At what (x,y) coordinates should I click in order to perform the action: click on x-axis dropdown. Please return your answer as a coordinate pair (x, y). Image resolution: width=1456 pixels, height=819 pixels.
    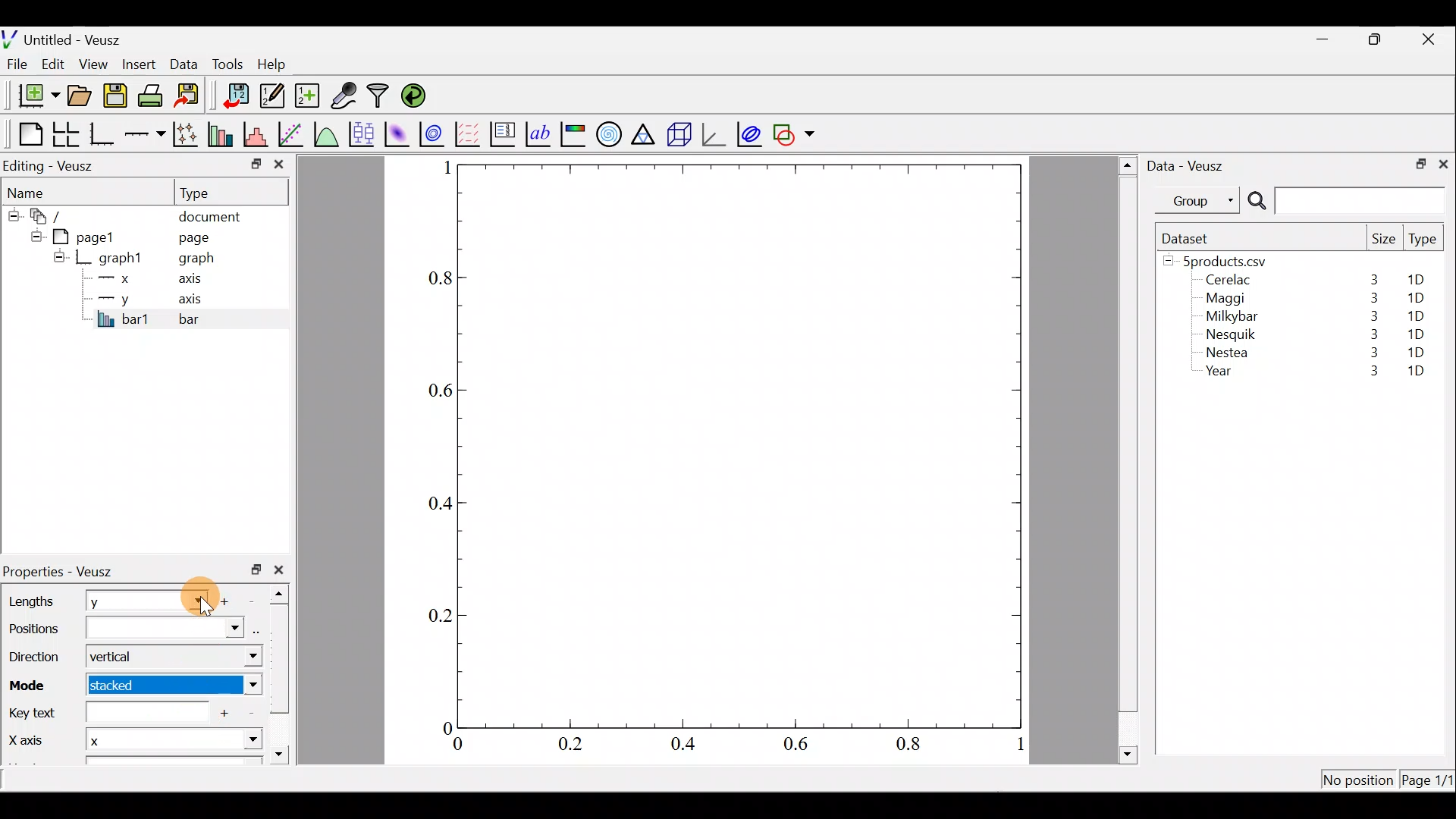
    Looking at the image, I should click on (237, 746).